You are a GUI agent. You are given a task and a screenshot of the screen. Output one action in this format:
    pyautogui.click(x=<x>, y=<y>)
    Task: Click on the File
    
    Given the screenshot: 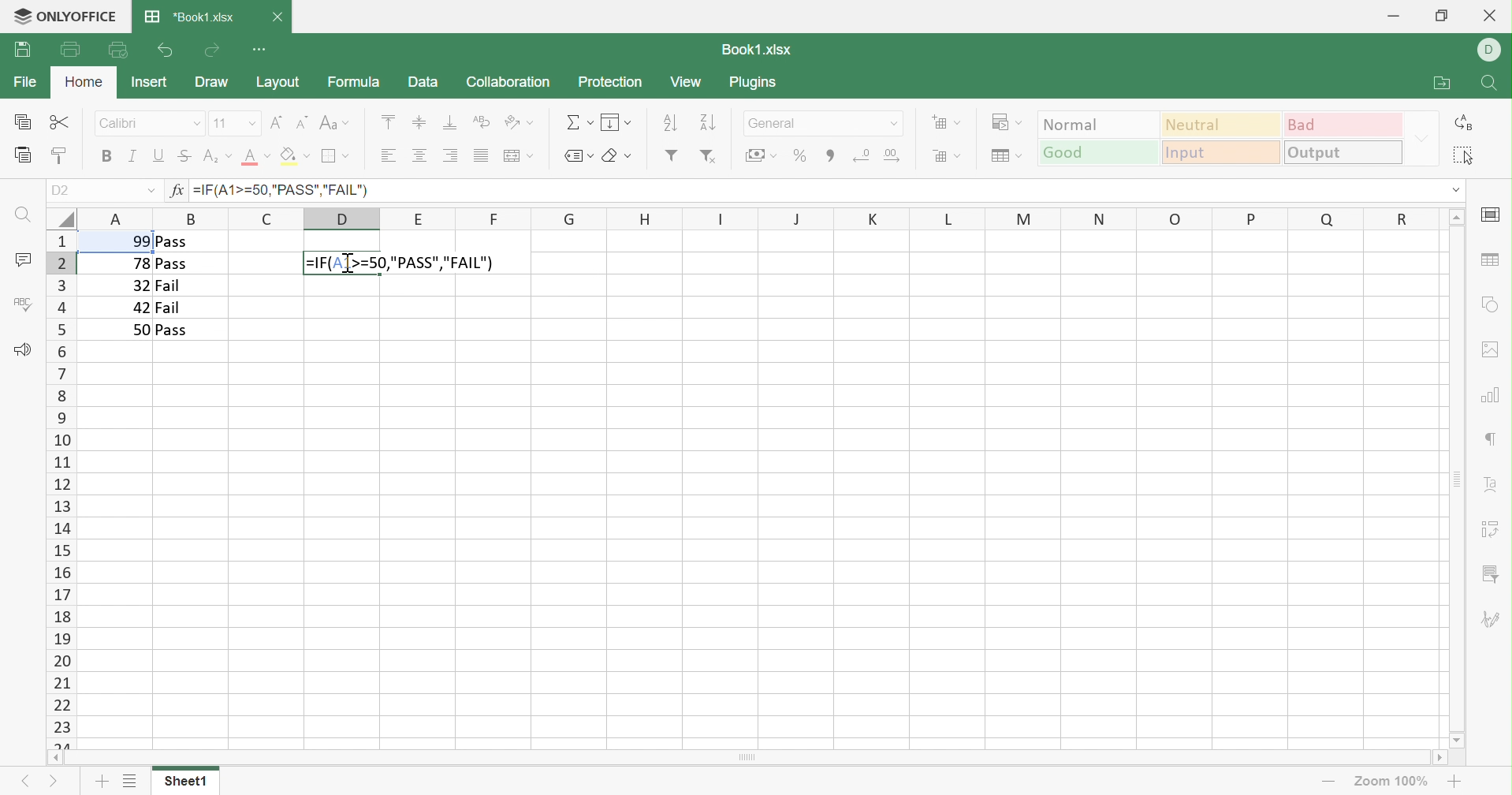 What is the action you would take?
    pyautogui.click(x=26, y=81)
    